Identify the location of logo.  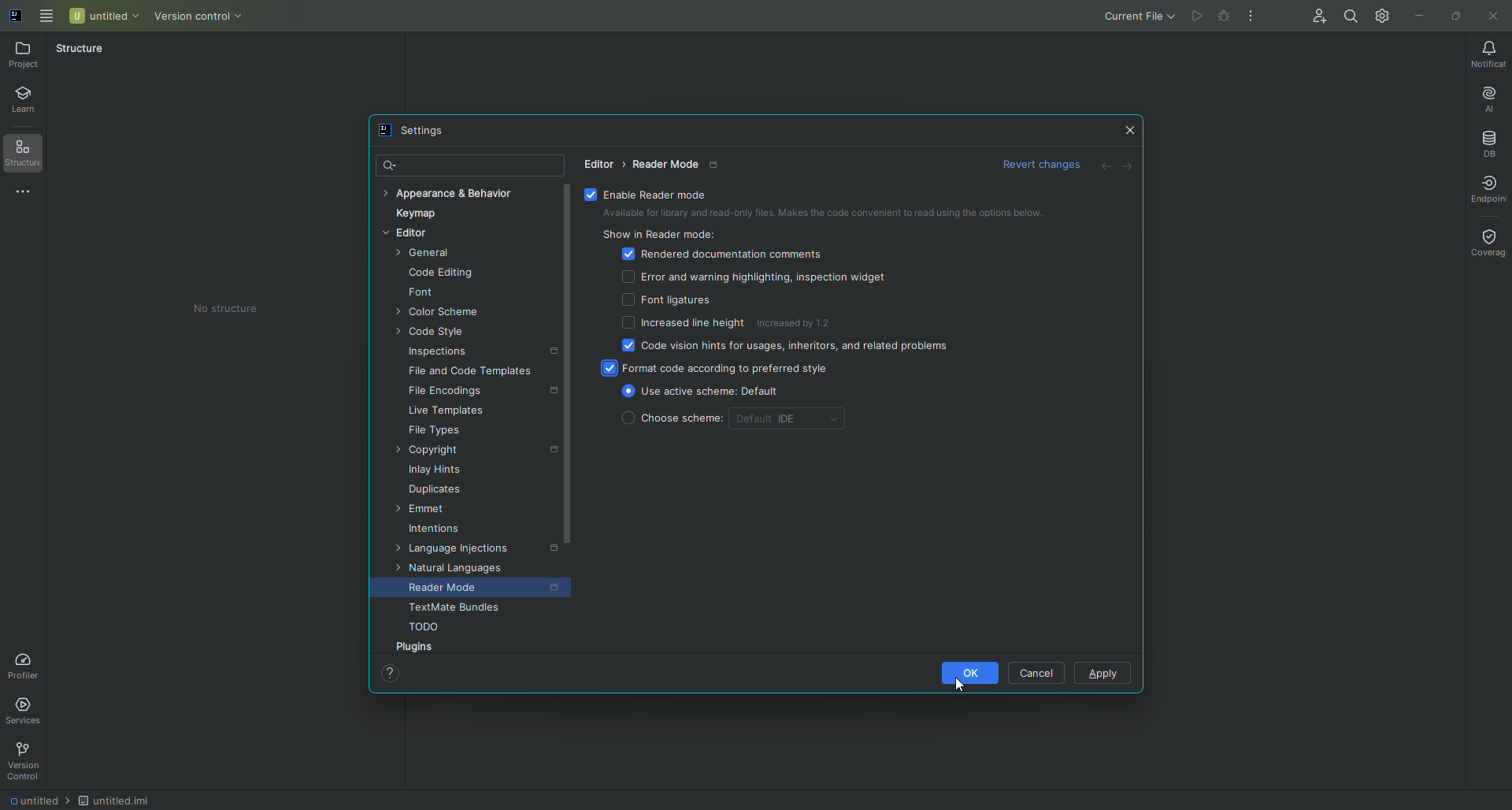
(16, 17).